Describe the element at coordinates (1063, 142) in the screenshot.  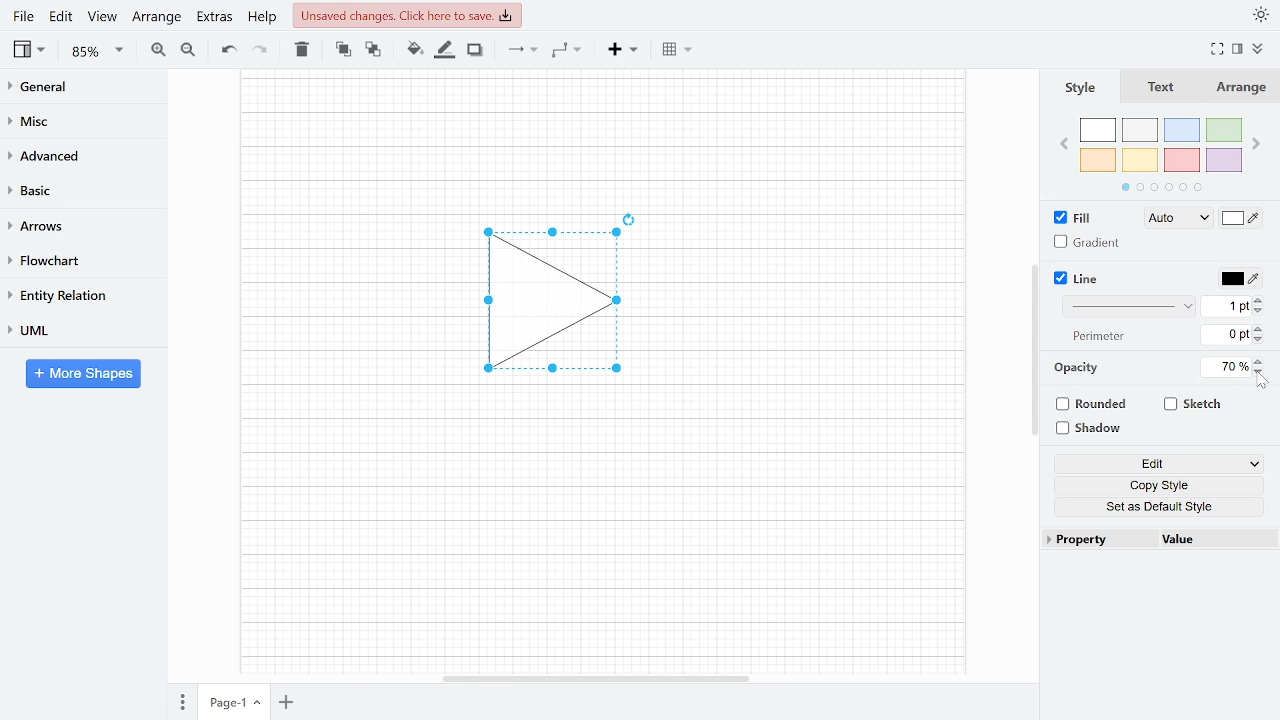
I see `Previous` at that location.